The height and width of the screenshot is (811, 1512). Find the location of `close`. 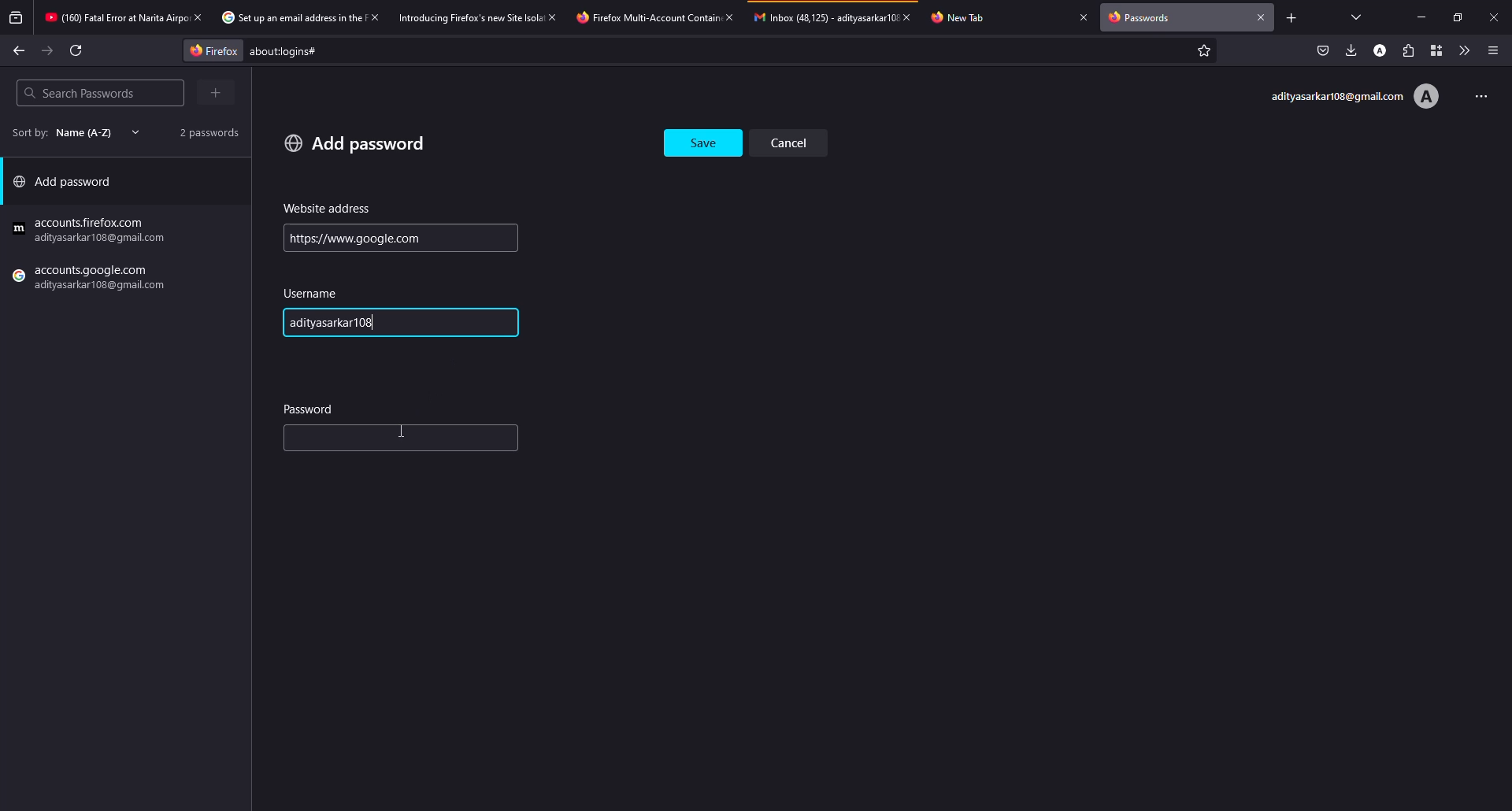

close is located at coordinates (554, 17).